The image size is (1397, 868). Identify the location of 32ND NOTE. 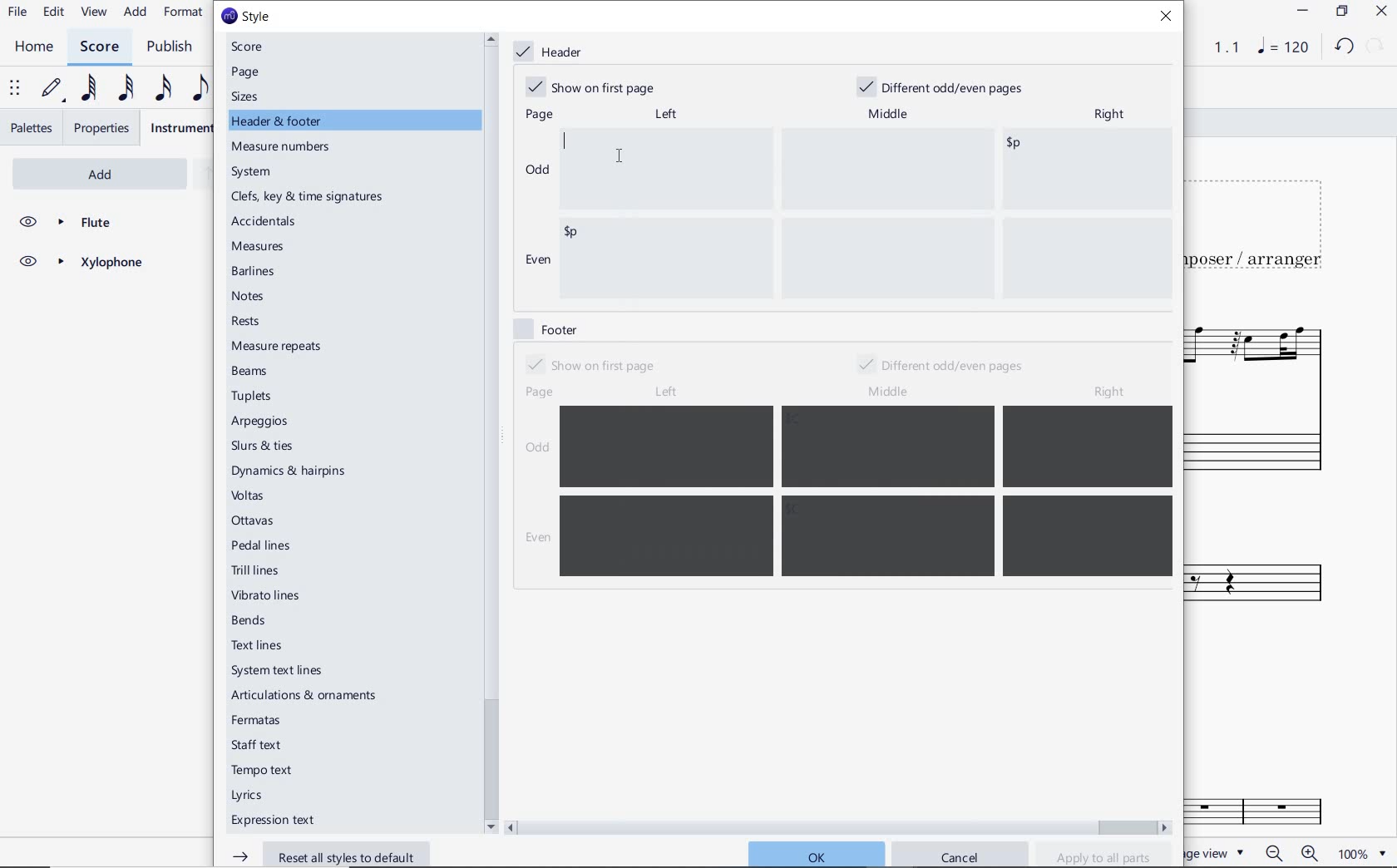
(124, 86).